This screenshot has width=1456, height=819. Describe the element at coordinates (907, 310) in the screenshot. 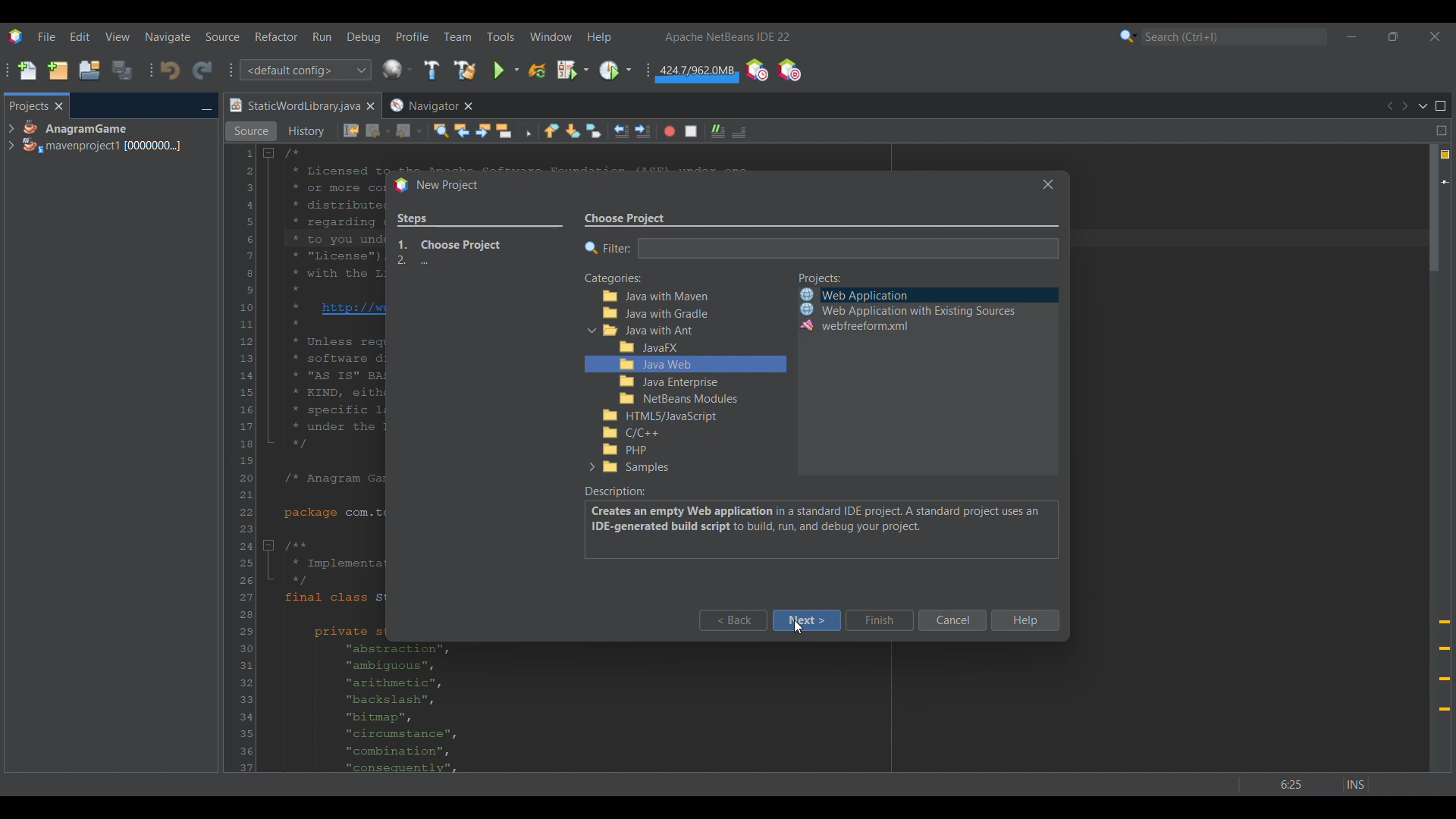

I see `Project options with their respective logo` at that location.